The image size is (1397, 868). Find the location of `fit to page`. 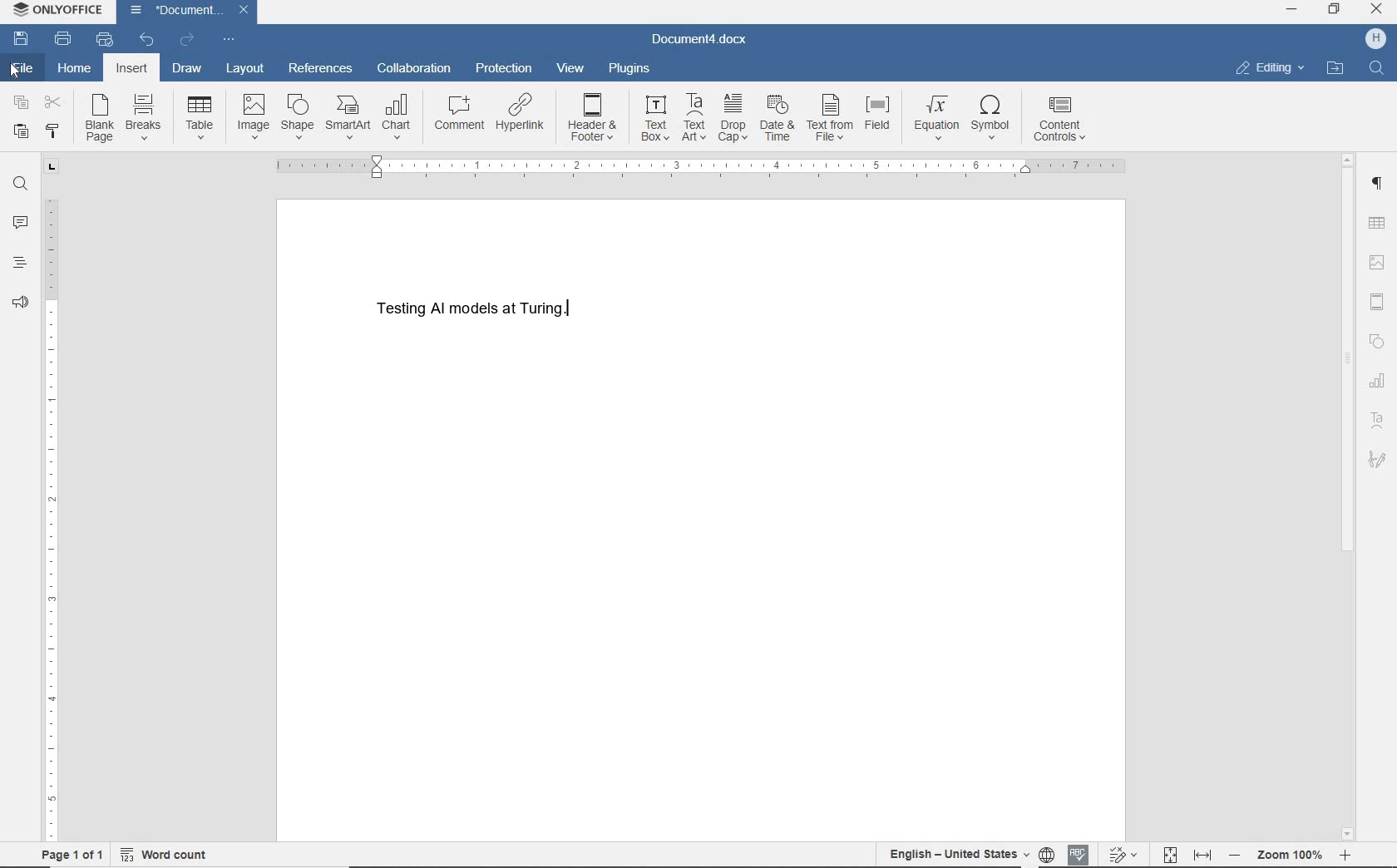

fit to page is located at coordinates (1168, 855).